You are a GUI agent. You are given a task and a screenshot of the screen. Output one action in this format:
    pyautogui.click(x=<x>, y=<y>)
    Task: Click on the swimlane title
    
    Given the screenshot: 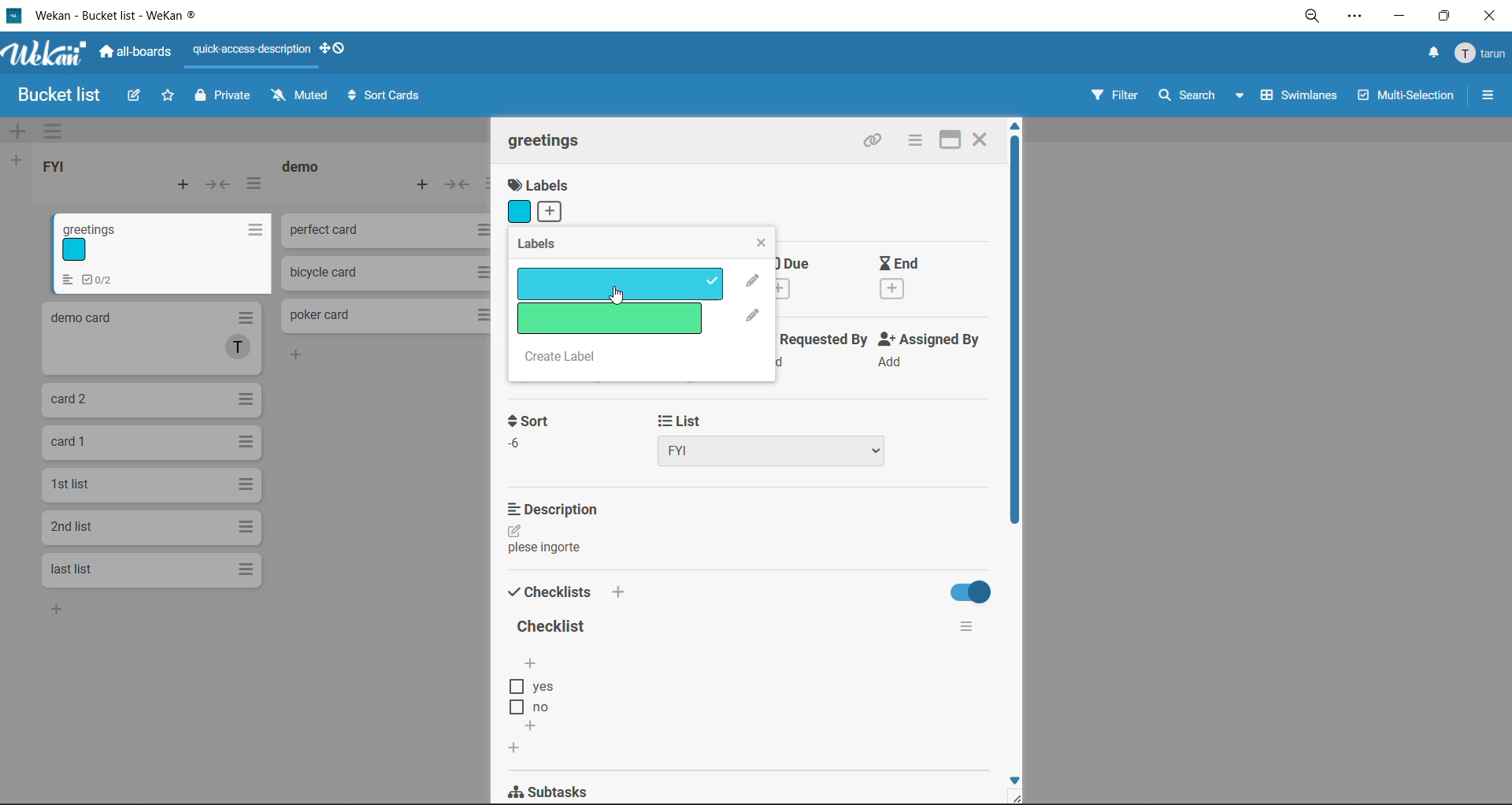 What is the action you would take?
    pyautogui.click(x=758, y=131)
    